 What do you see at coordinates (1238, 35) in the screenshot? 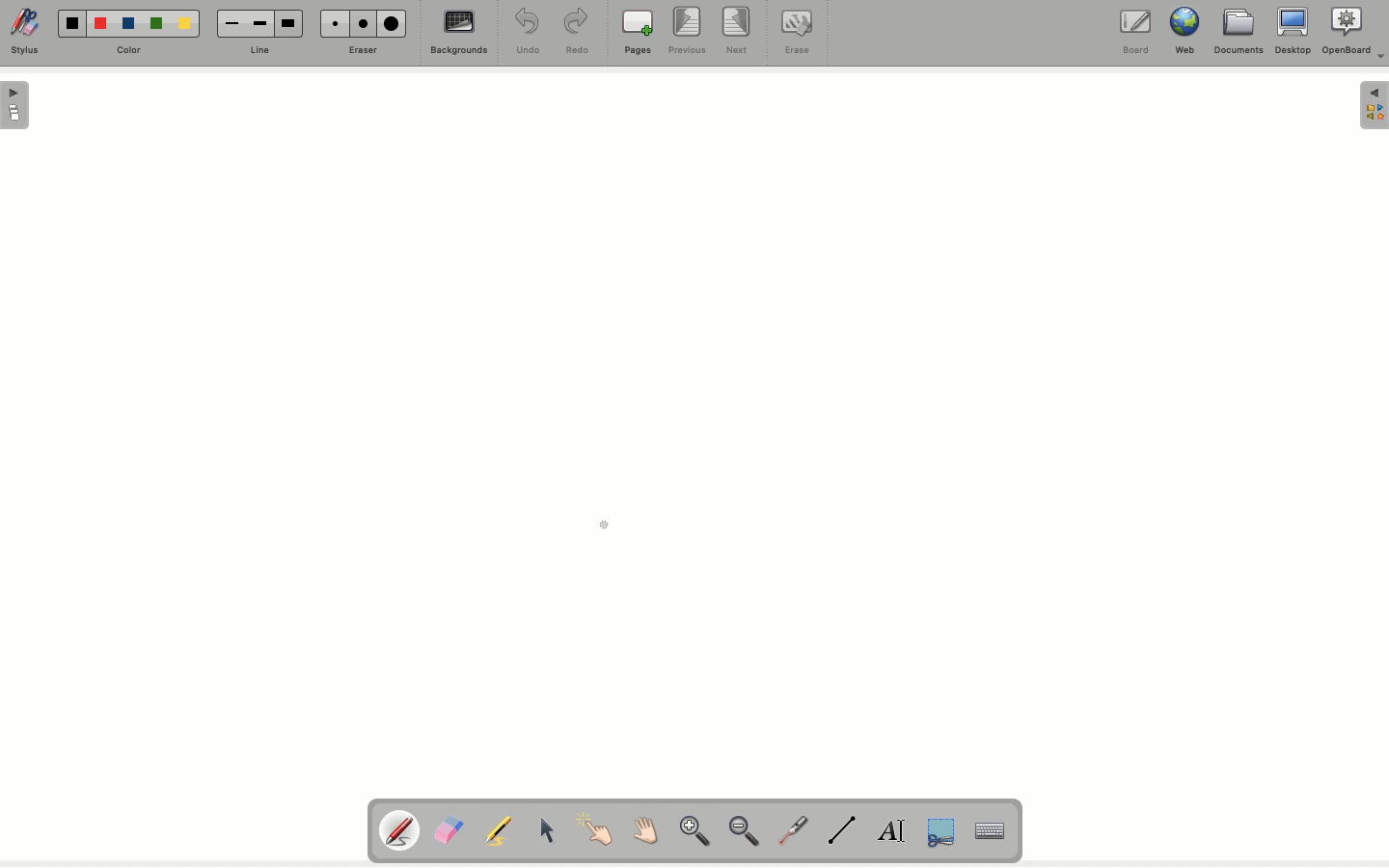
I see `Documents` at bounding box center [1238, 35].